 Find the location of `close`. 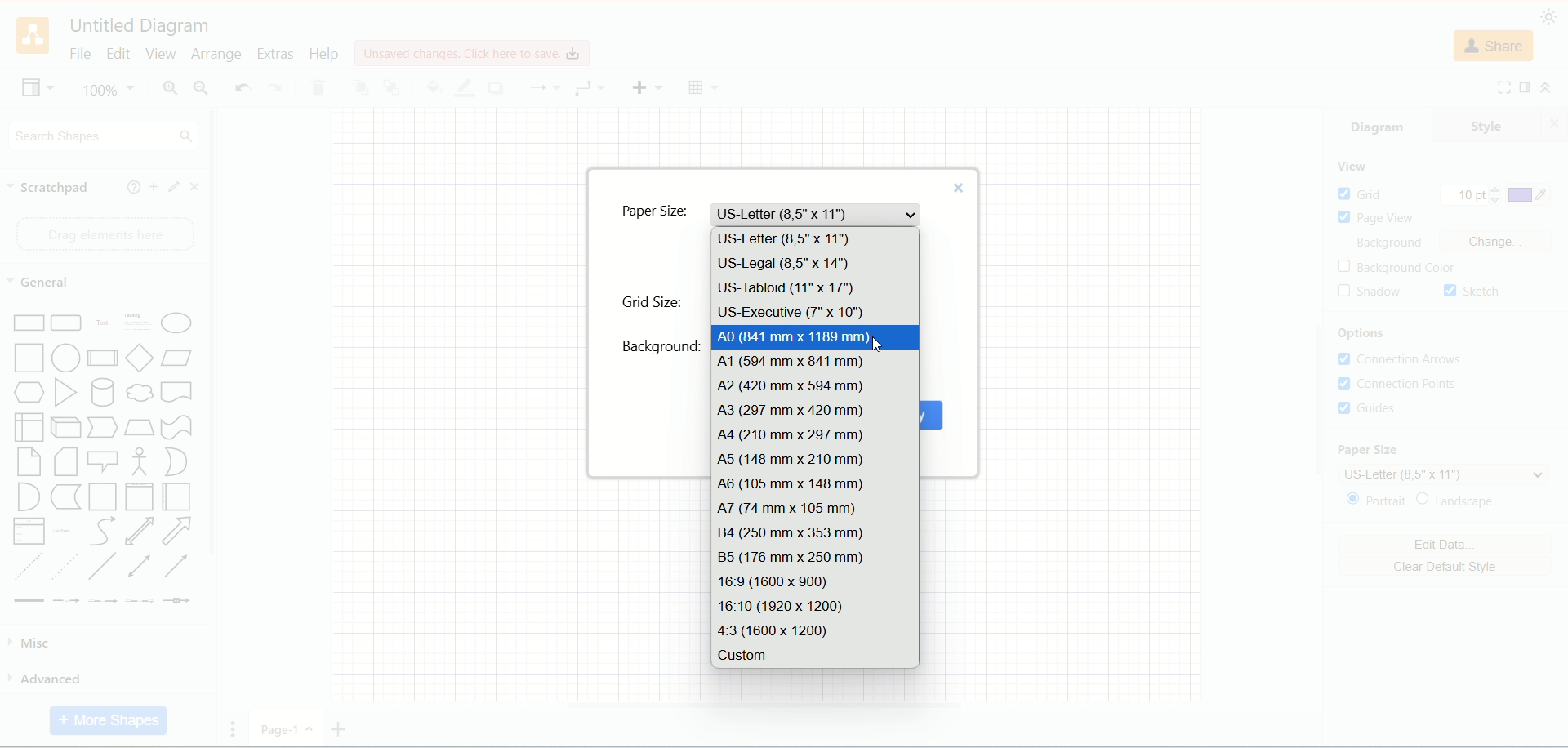

close is located at coordinates (198, 186).